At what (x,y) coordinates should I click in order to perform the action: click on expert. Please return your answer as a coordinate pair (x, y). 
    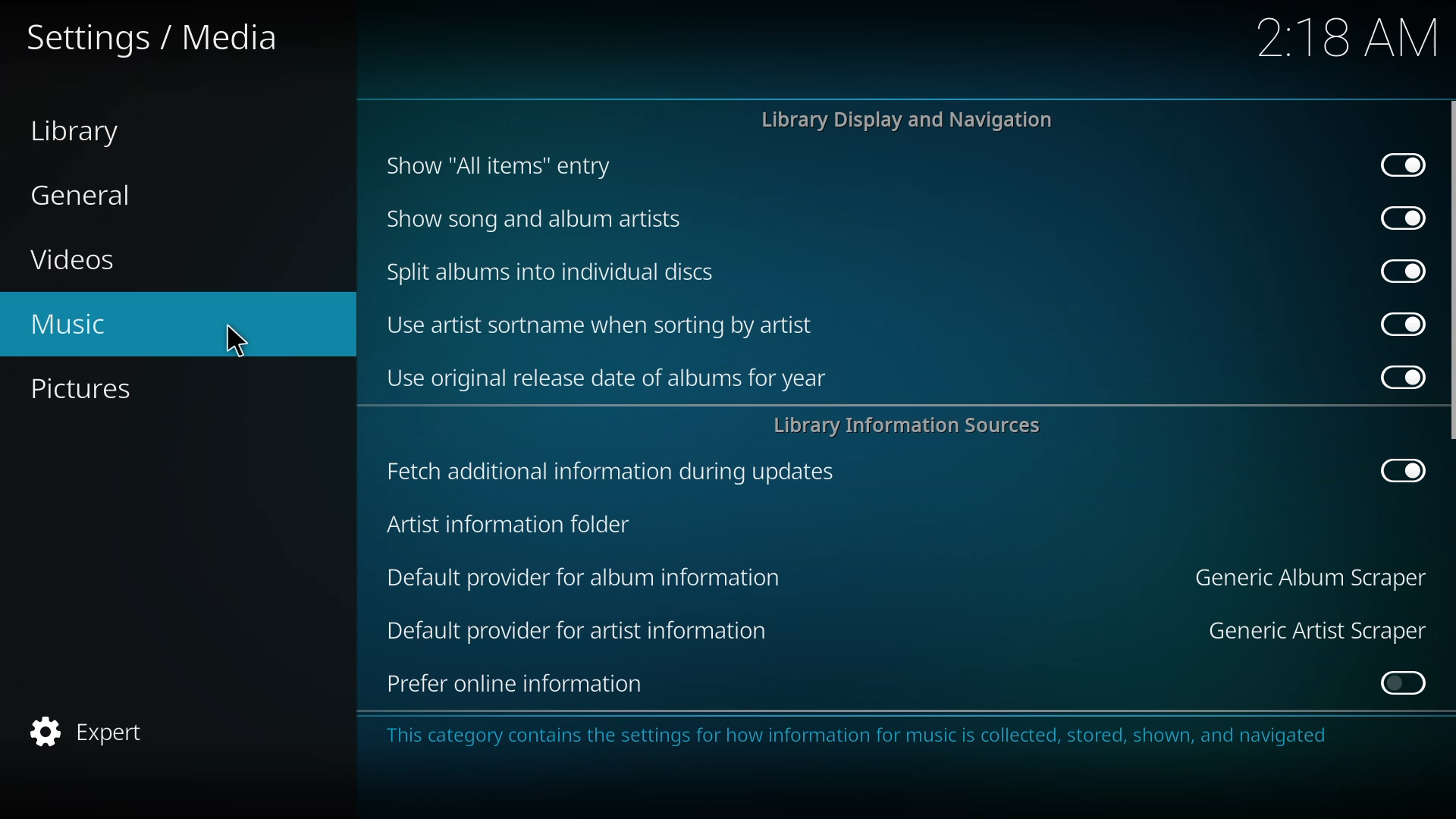
    Looking at the image, I should click on (88, 731).